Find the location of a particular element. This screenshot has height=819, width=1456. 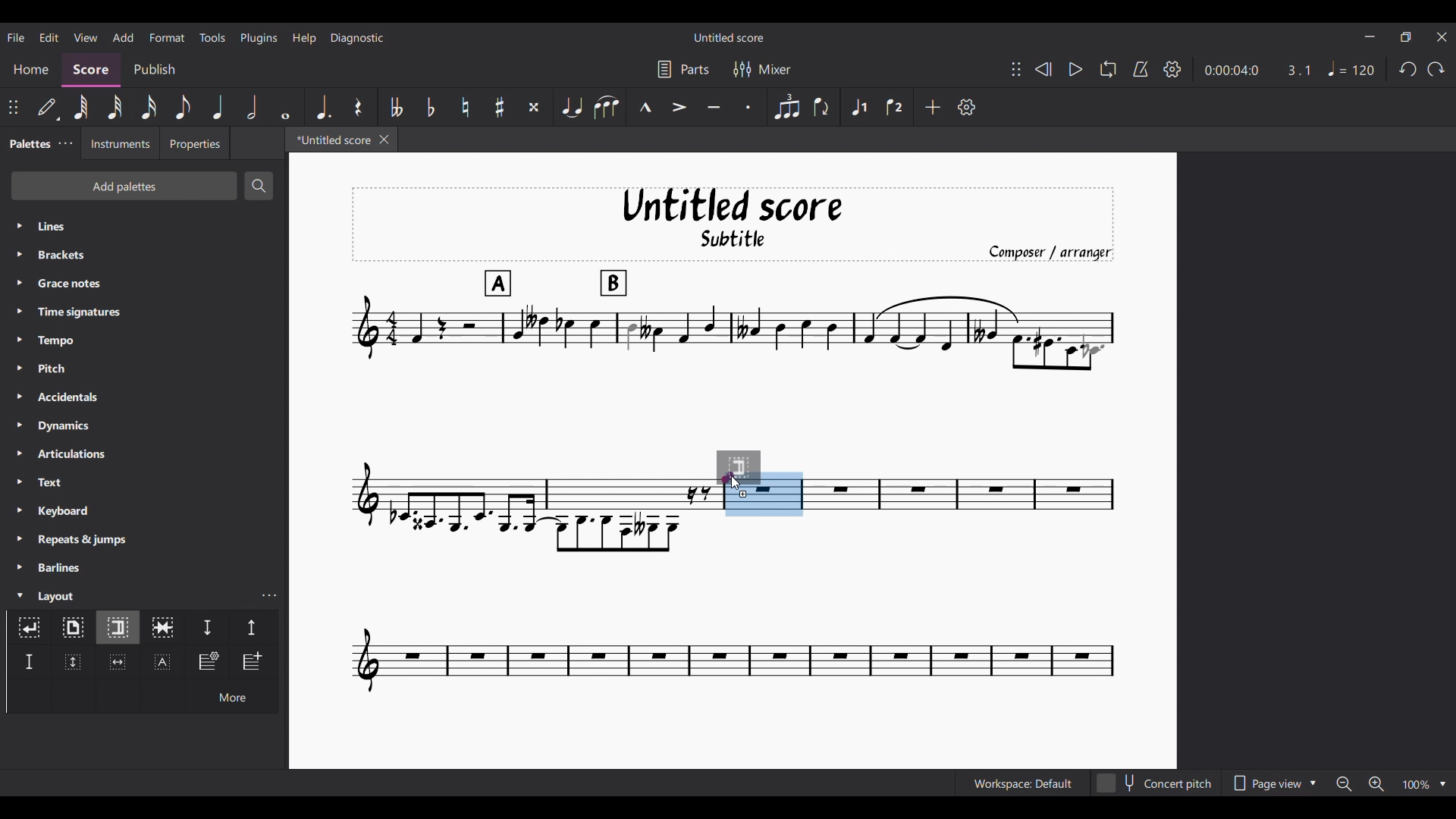

Help menu is located at coordinates (304, 38).